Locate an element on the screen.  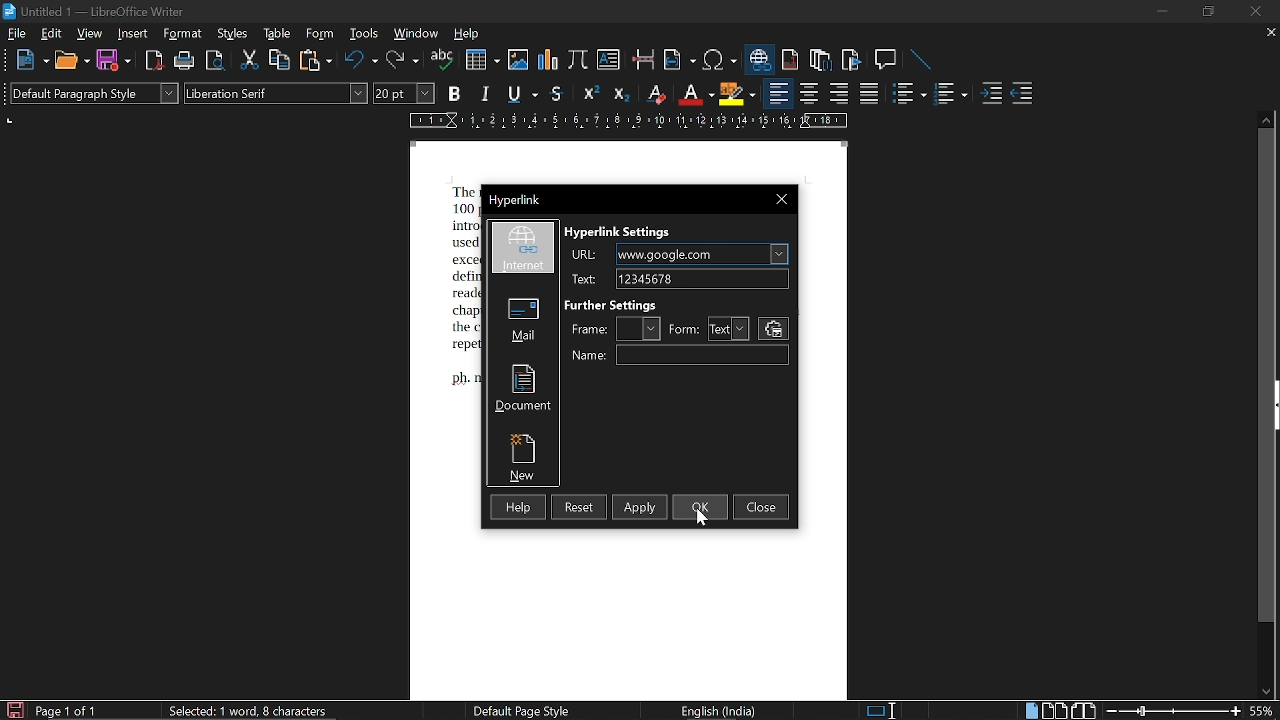
frame is located at coordinates (588, 328).